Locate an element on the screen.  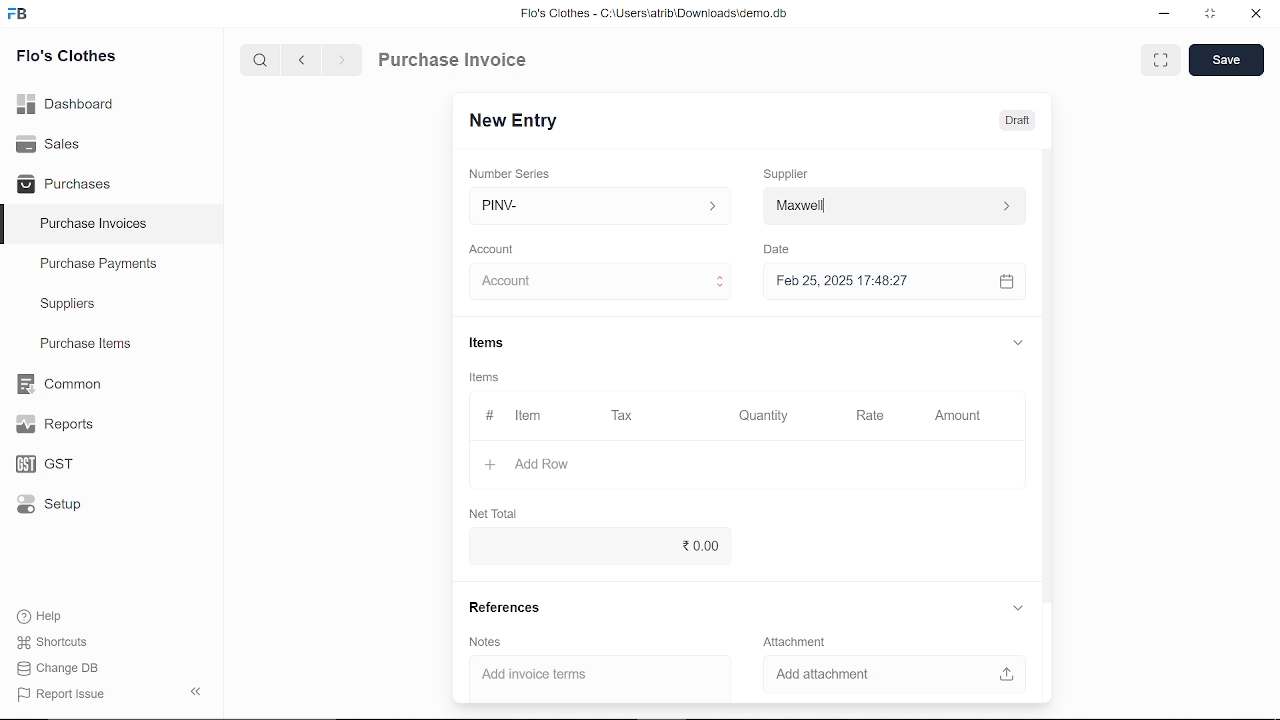
Net Total is located at coordinates (497, 513).